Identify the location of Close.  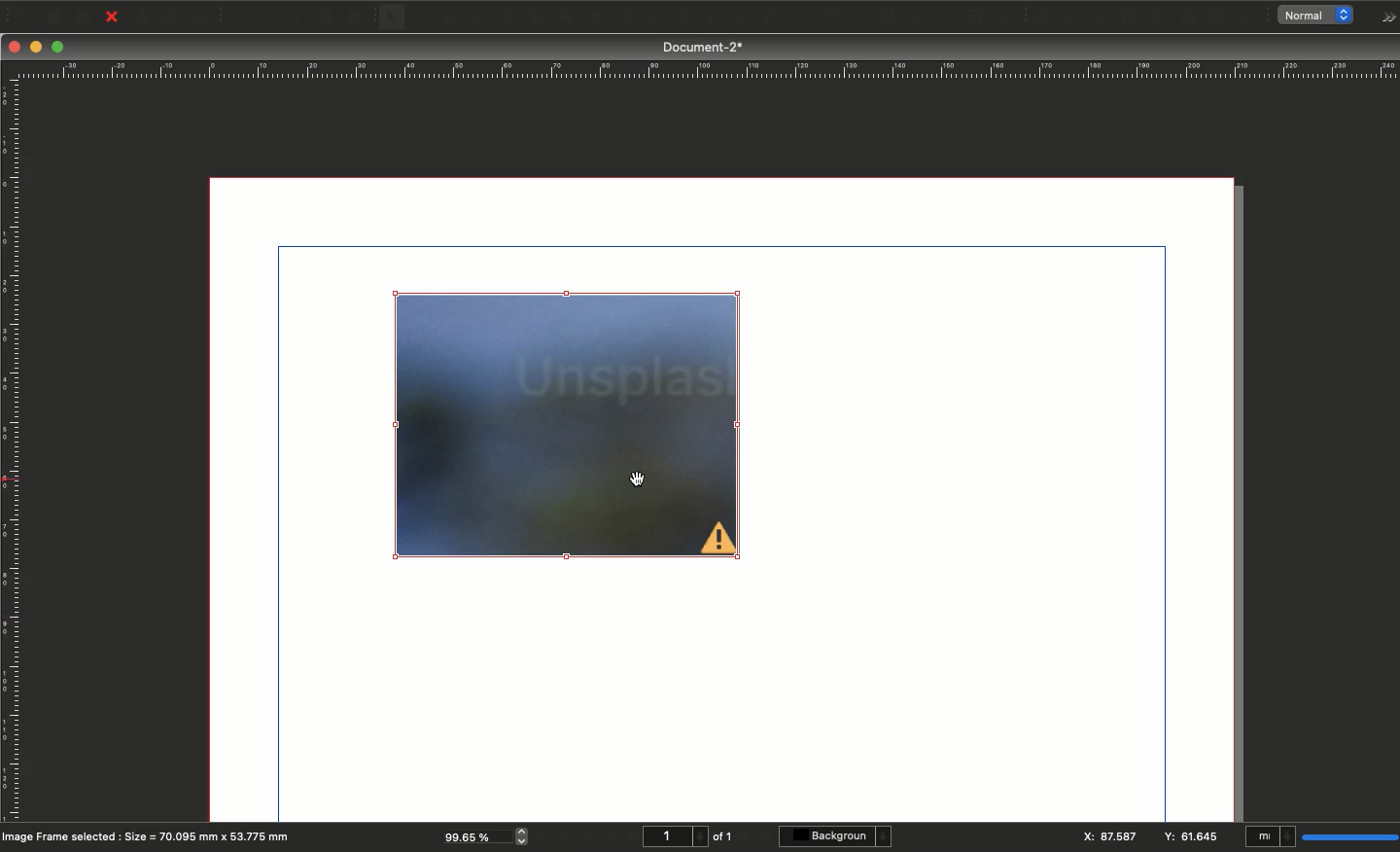
(15, 47).